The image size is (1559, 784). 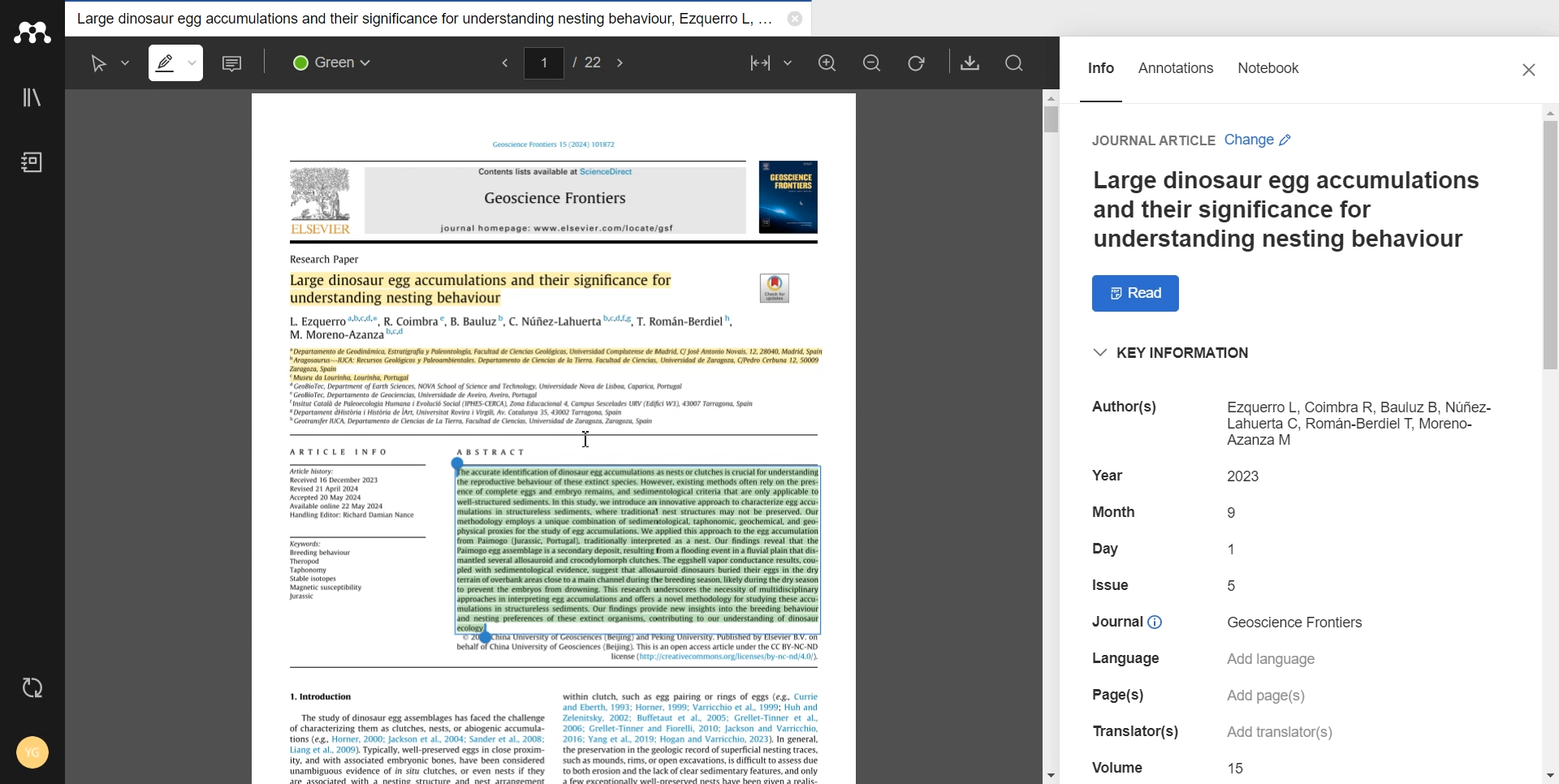 What do you see at coordinates (337, 62) in the screenshot?
I see `Colors` at bounding box center [337, 62].